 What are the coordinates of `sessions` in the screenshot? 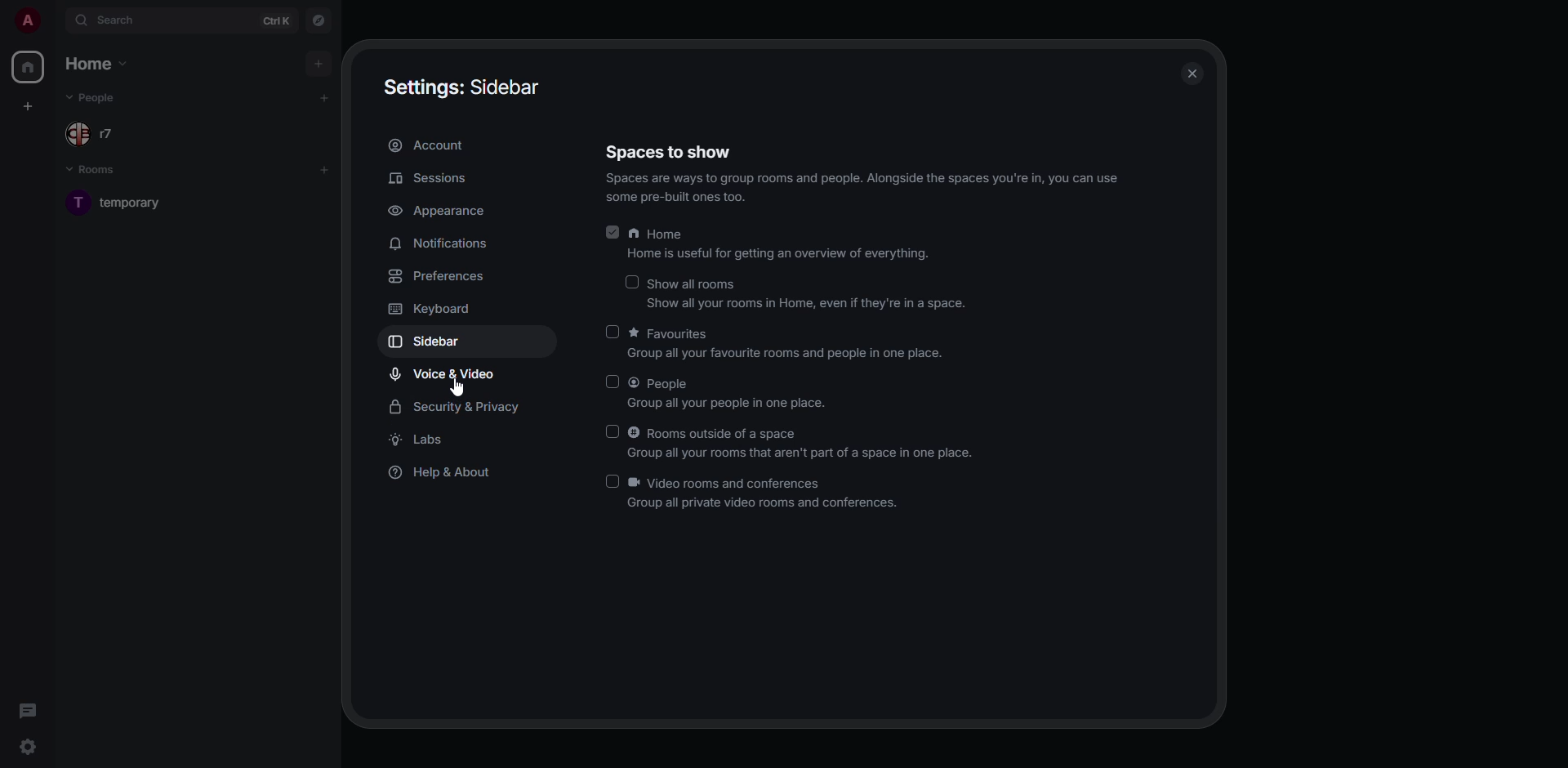 It's located at (433, 177).